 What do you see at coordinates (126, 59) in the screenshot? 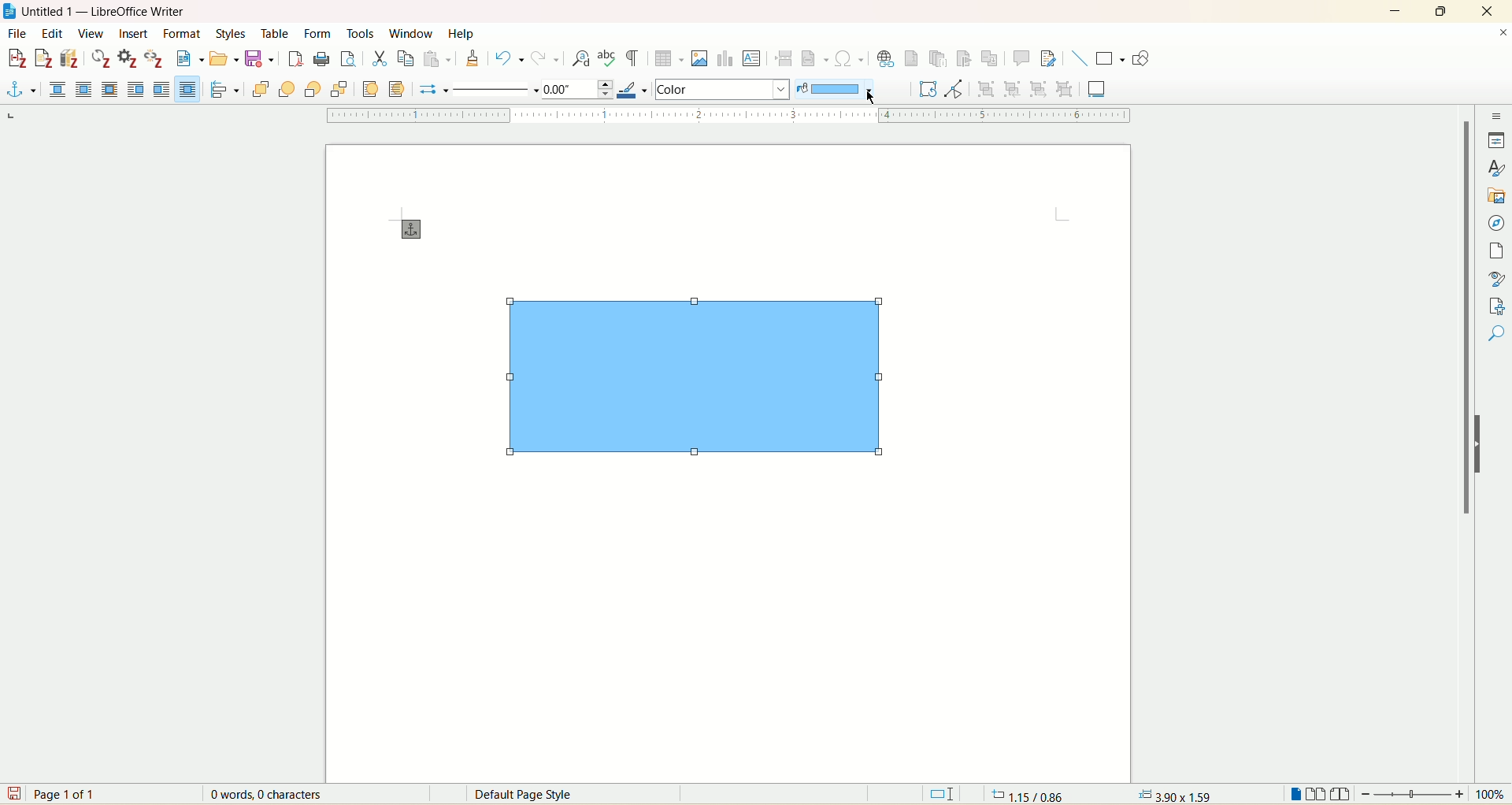
I see `document preferences` at bounding box center [126, 59].